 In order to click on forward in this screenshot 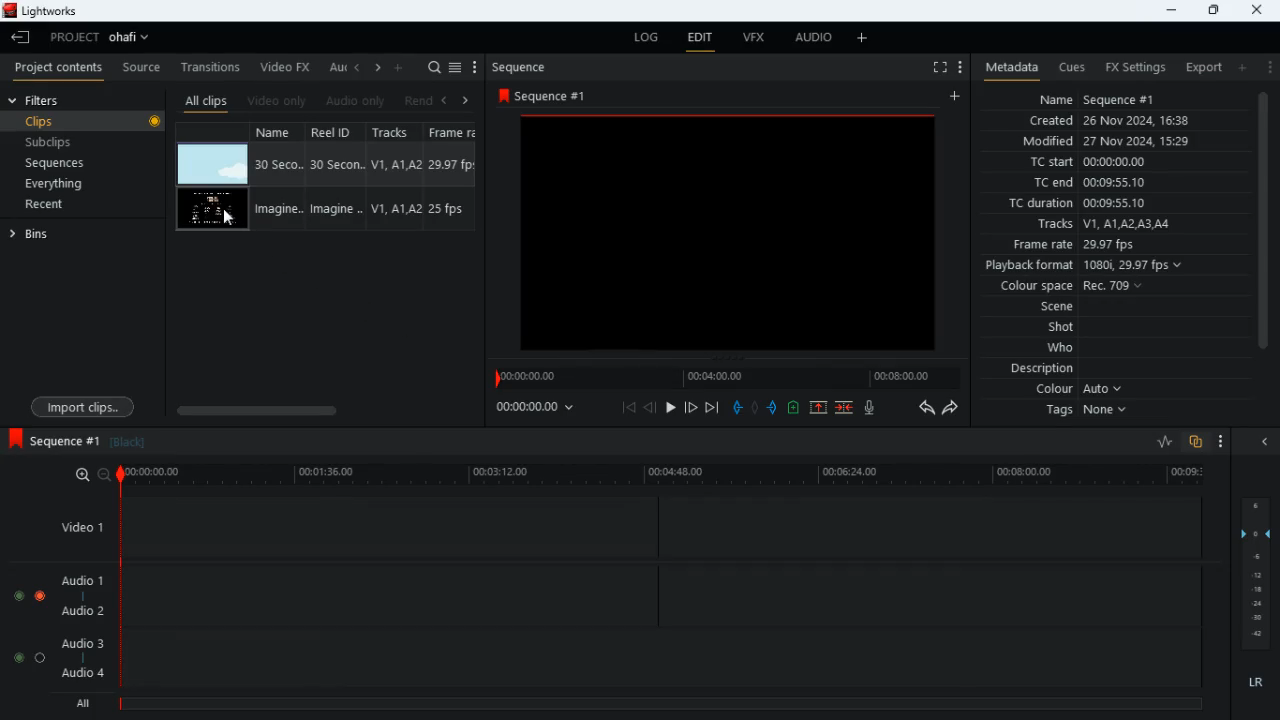, I will do `click(952, 409)`.